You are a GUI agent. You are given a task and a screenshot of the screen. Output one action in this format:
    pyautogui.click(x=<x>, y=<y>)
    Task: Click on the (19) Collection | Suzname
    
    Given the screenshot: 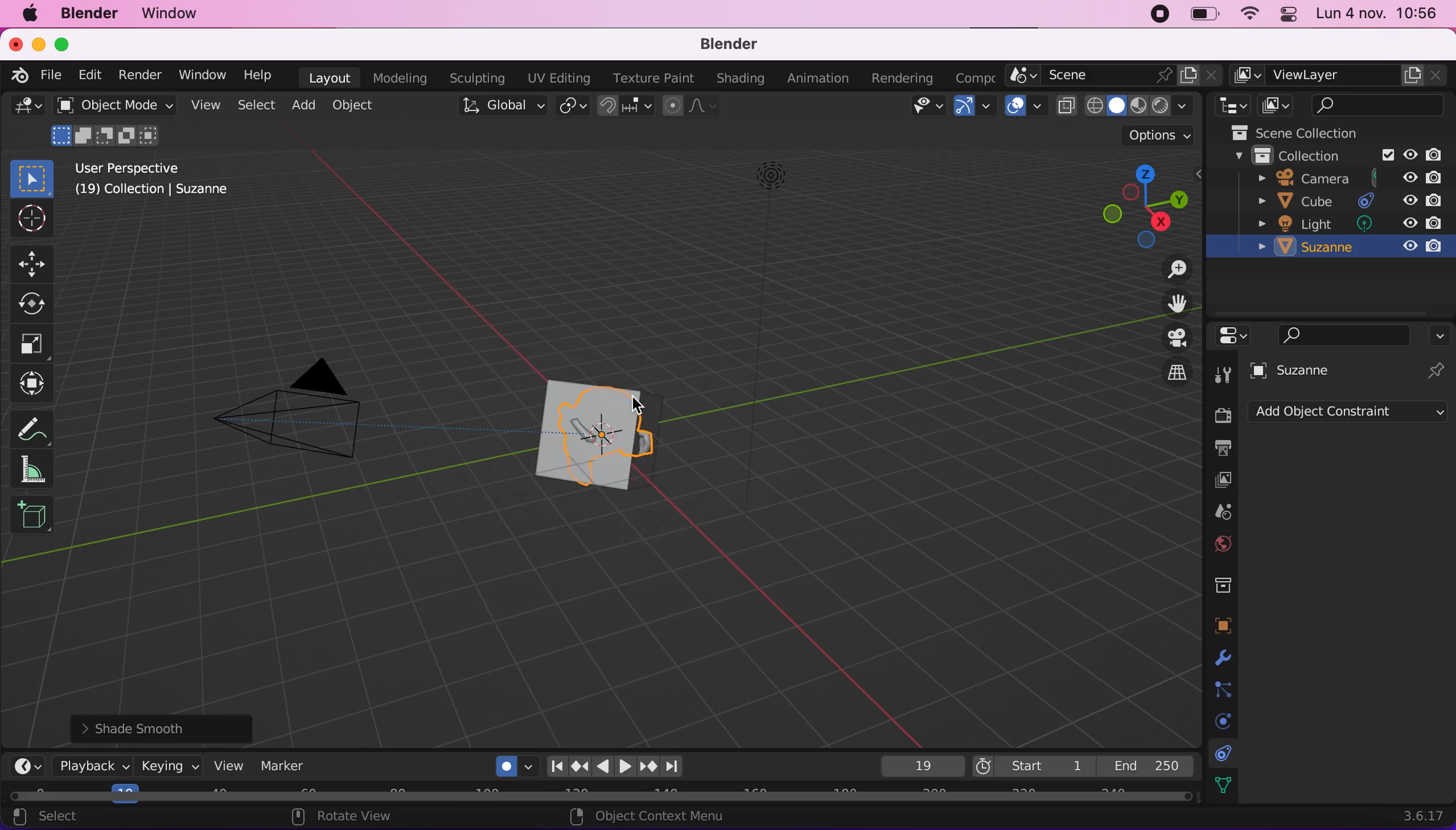 What is the action you would take?
    pyautogui.click(x=167, y=193)
    